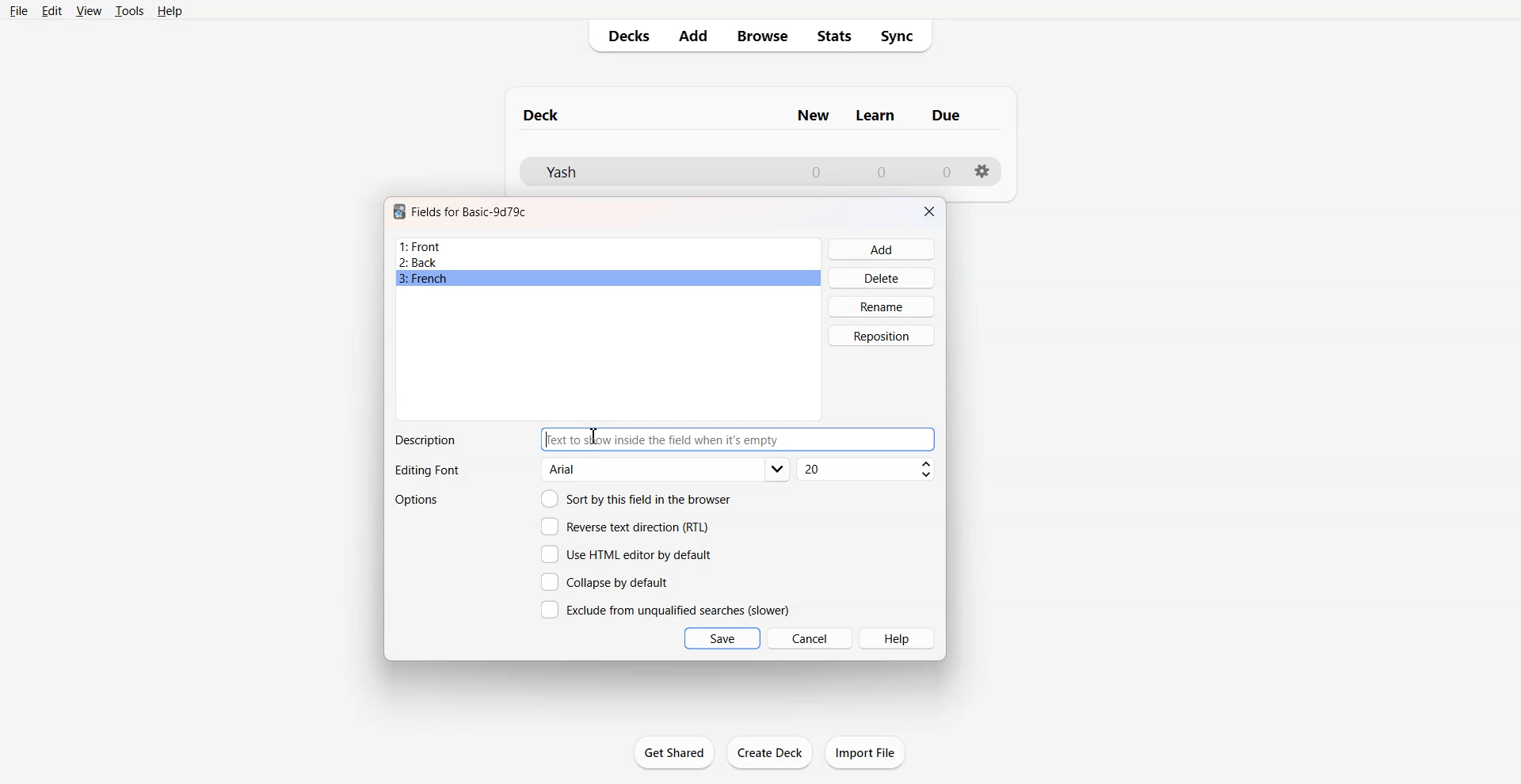 Image resolution: width=1521 pixels, height=784 pixels. What do you see at coordinates (623, 36) in the screenshot?
I see `Decks` at bounding box center [623, 36].